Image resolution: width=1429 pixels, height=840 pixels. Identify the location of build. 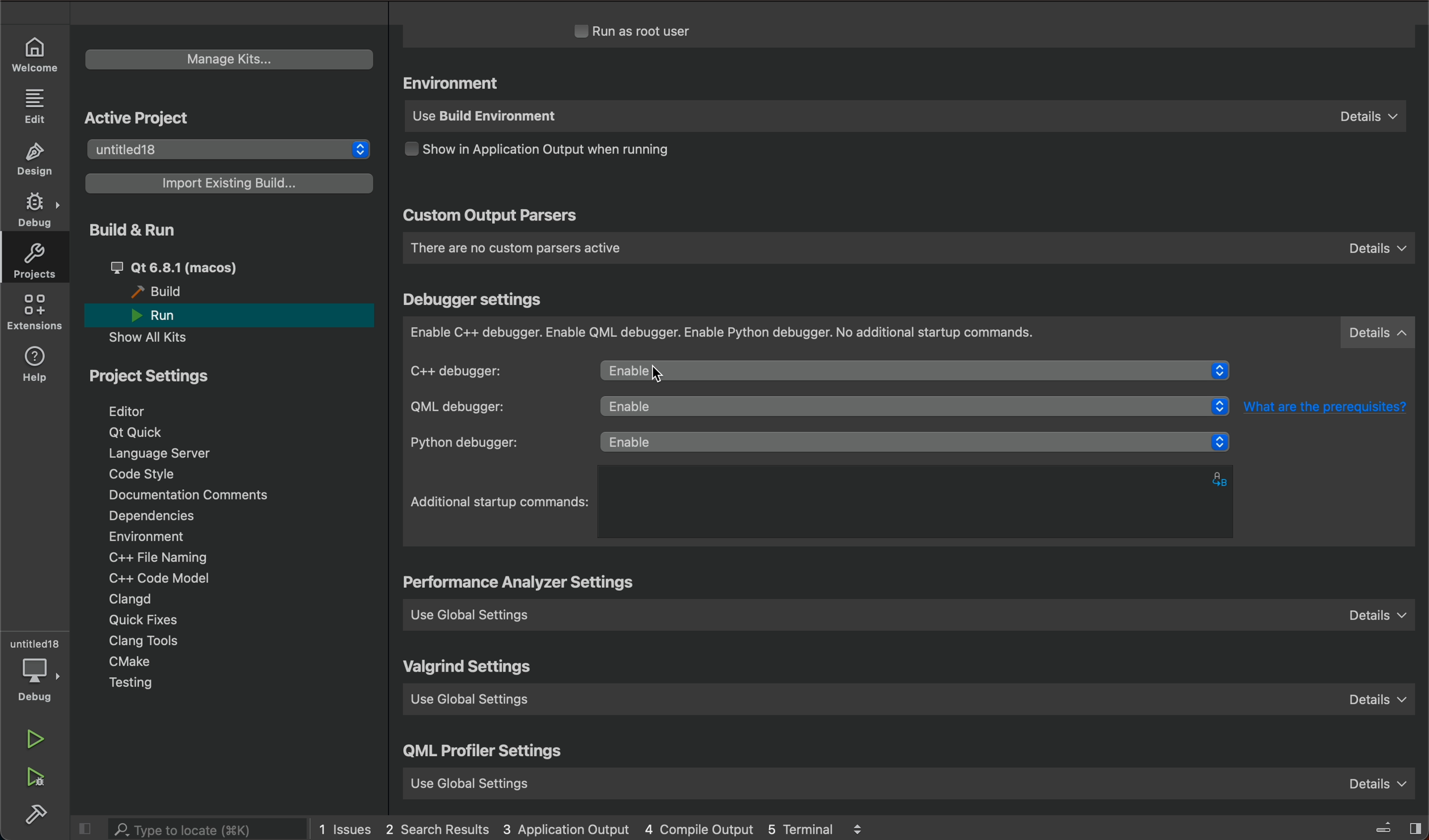
(38, 814).